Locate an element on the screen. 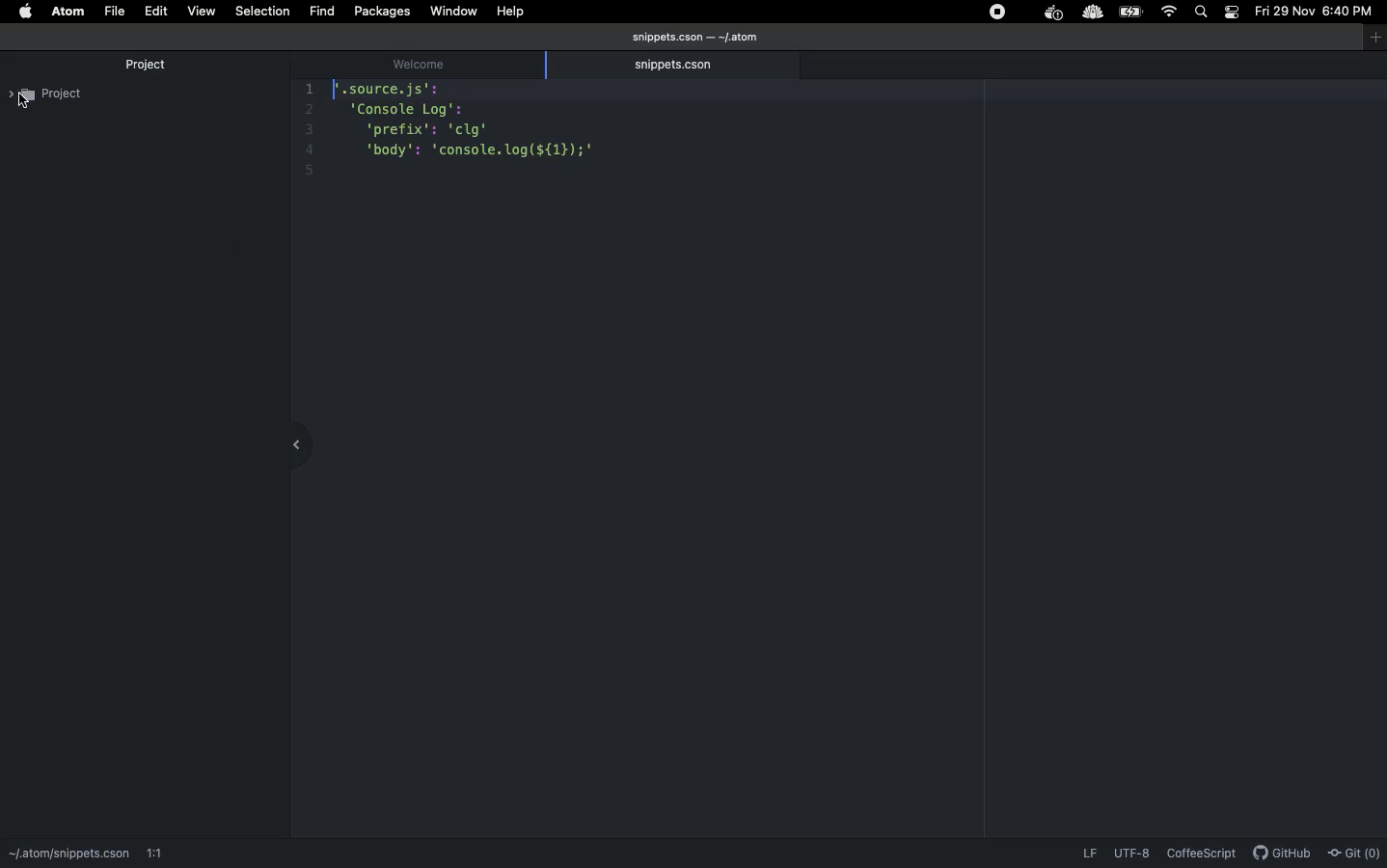 The image size is (1387, 868). Time is located at coordinates (1352, 14).